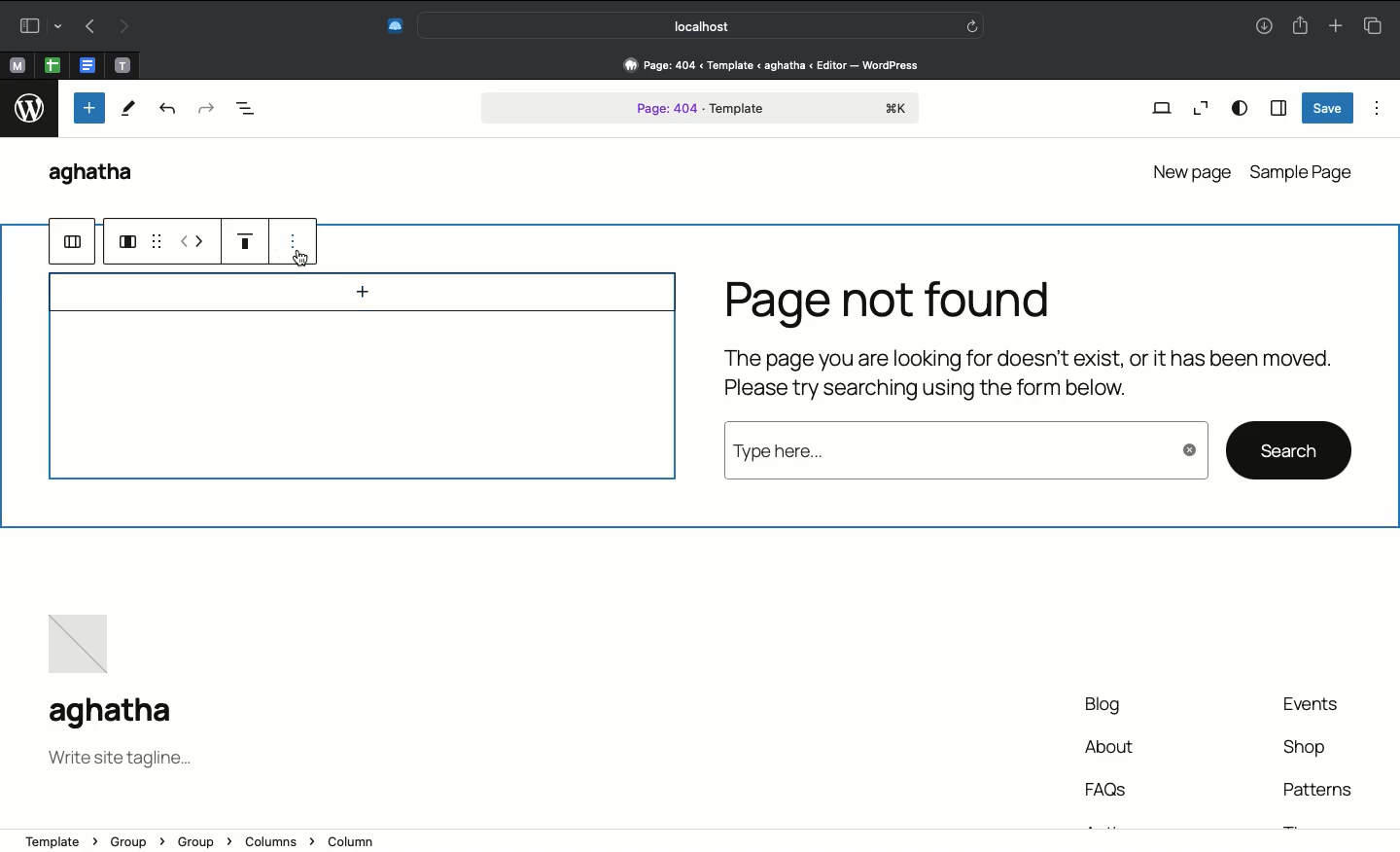 The width and height of the screenshot is (1400, 852). What do you see at coordinates (296, 236) in the screenshot?
I see `options` at bounding box center [296, 236].